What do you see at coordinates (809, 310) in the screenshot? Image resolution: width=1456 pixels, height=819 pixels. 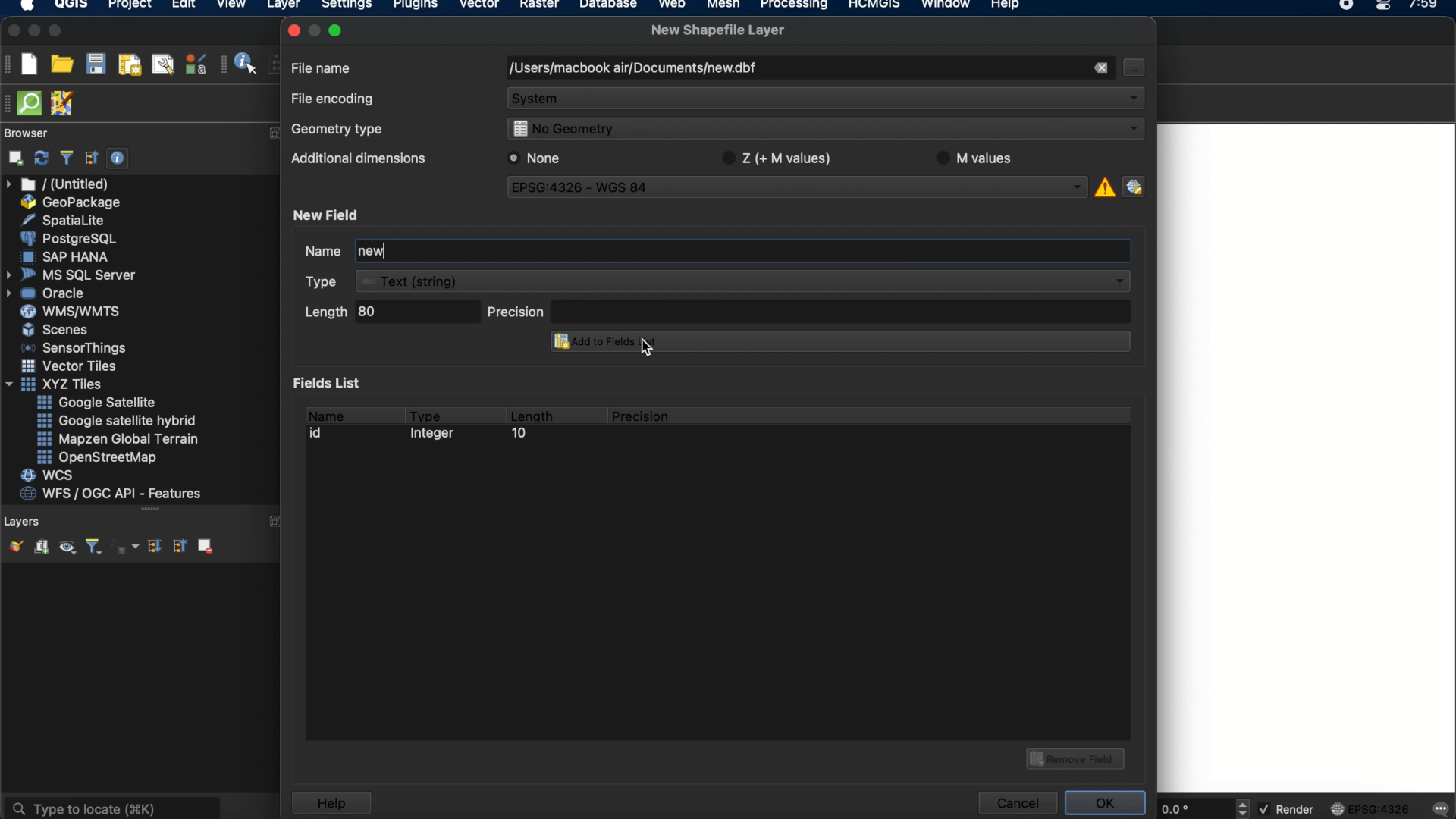 I see `precision` at bounding box center [809, 310].